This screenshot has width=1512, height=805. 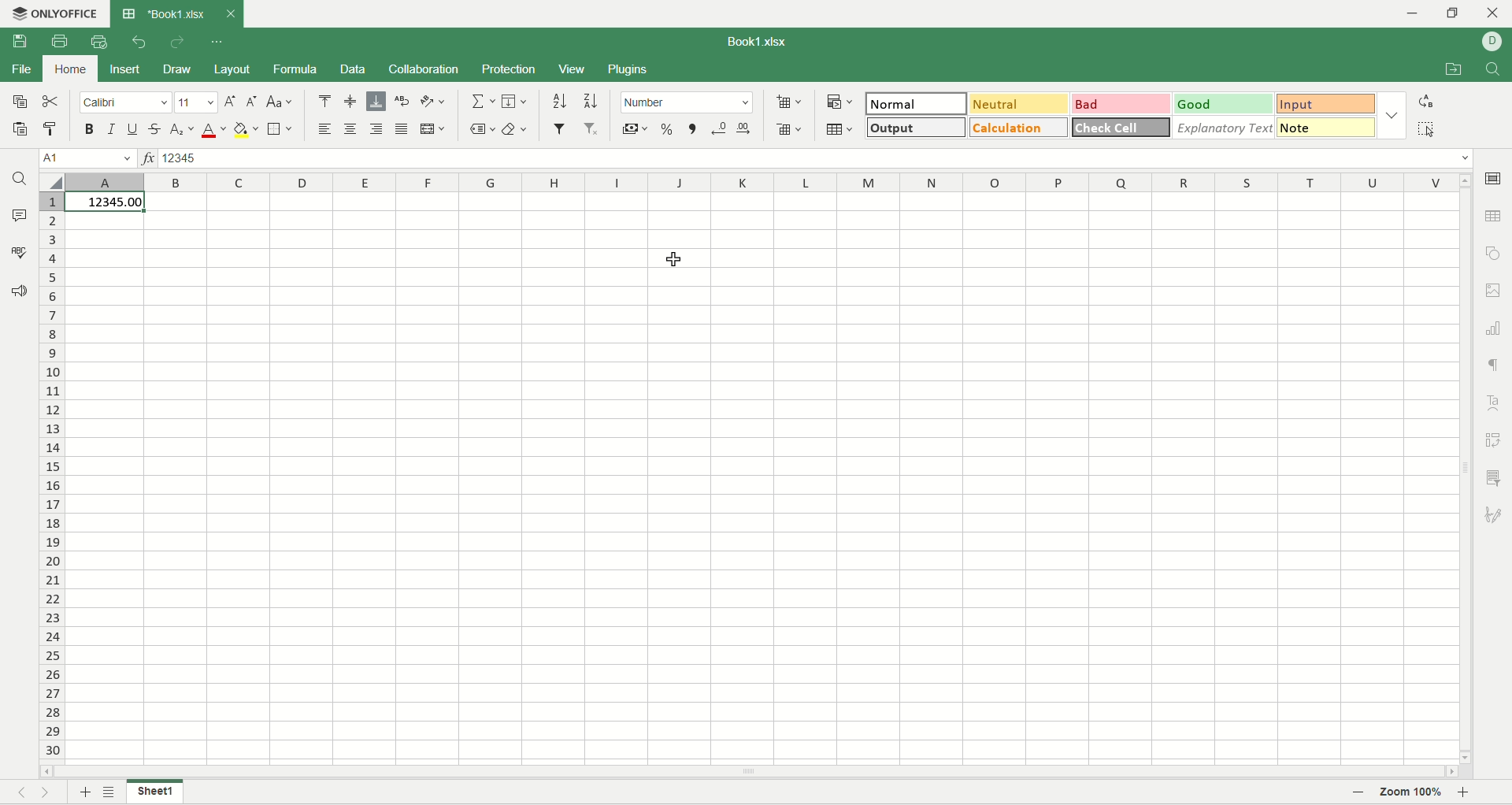 What do you see at coordinates (217, 44) in the screenshot?
I see `quick settings` at bounding box center [217, 44].